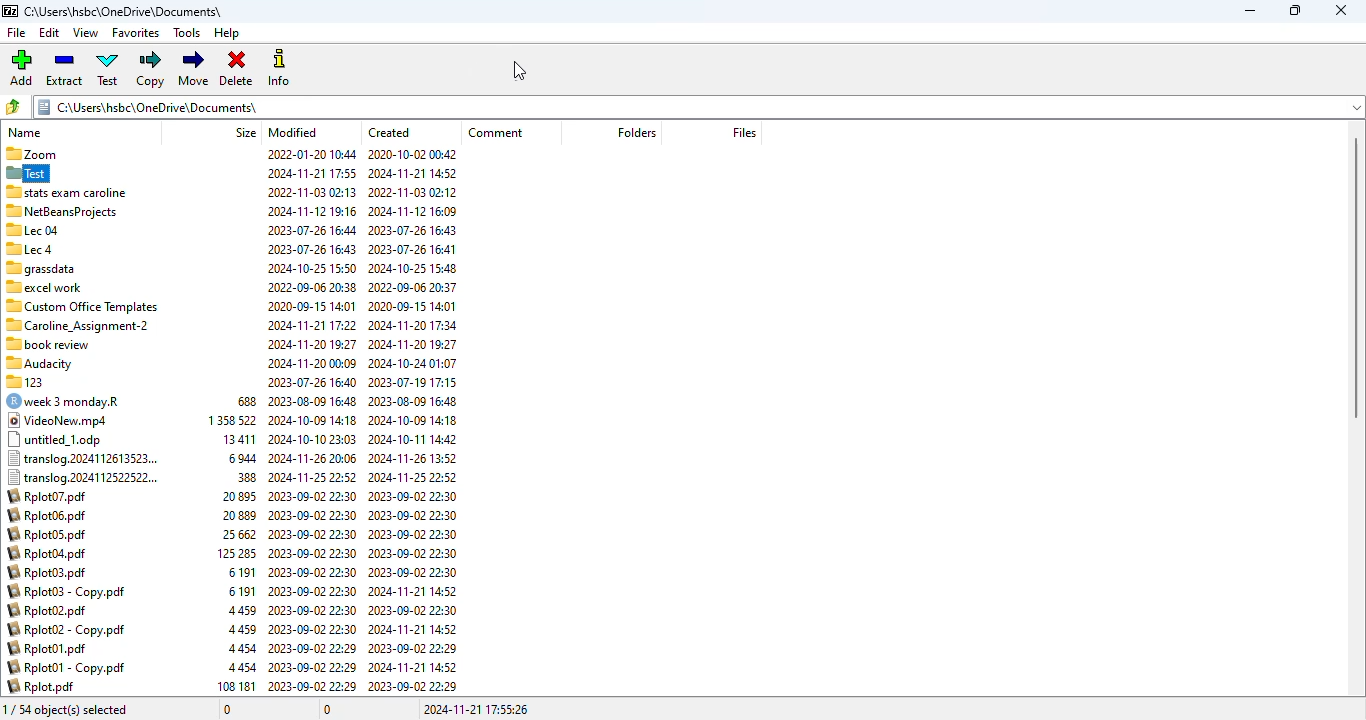  I want to click on 2023-09-02 22:29, so click(414, 648).